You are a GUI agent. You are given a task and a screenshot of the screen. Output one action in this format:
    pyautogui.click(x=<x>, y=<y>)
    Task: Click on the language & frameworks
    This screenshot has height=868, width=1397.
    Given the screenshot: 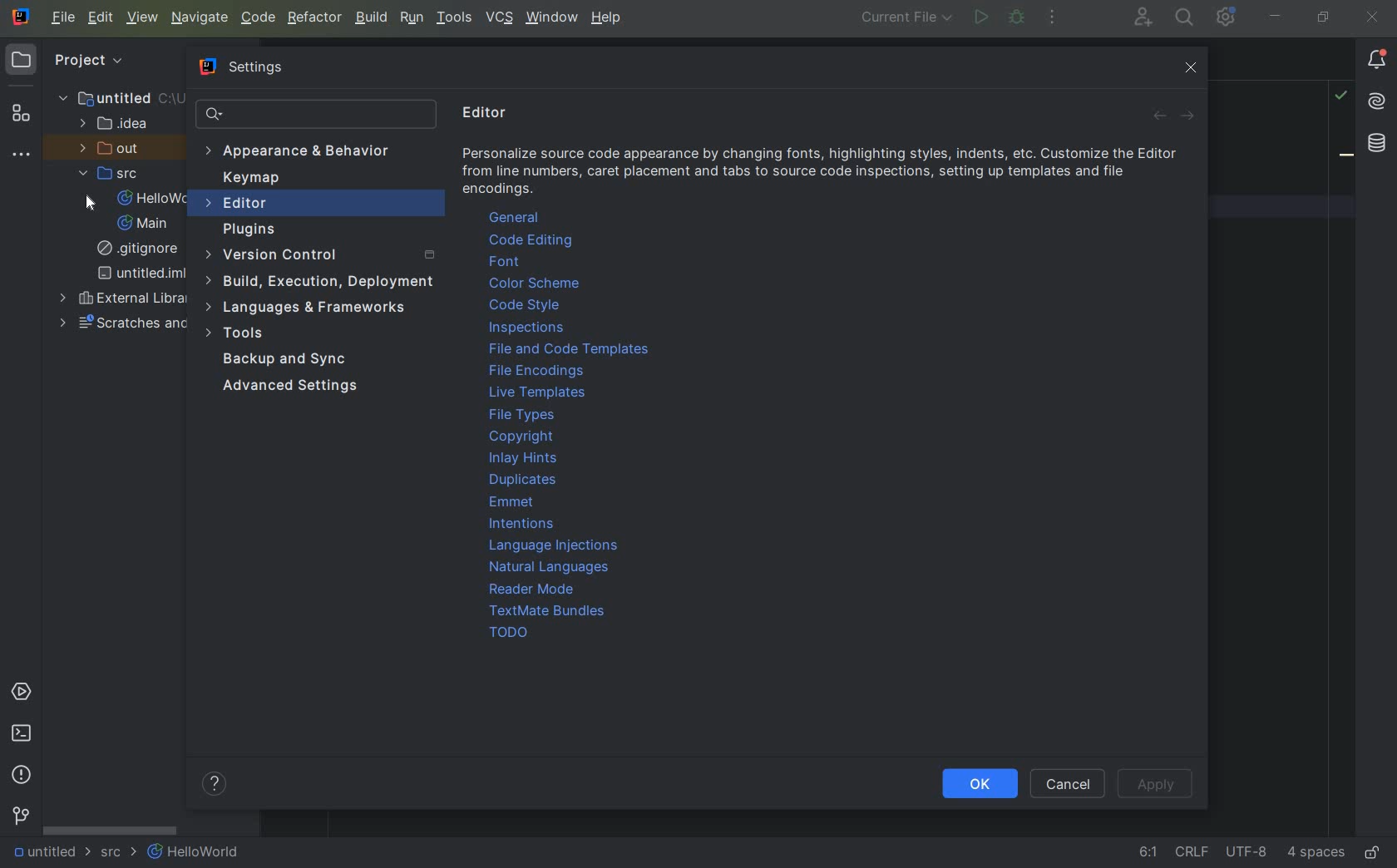 What is the action you would take?
    pyautogui.click(x=309, y=307)
    